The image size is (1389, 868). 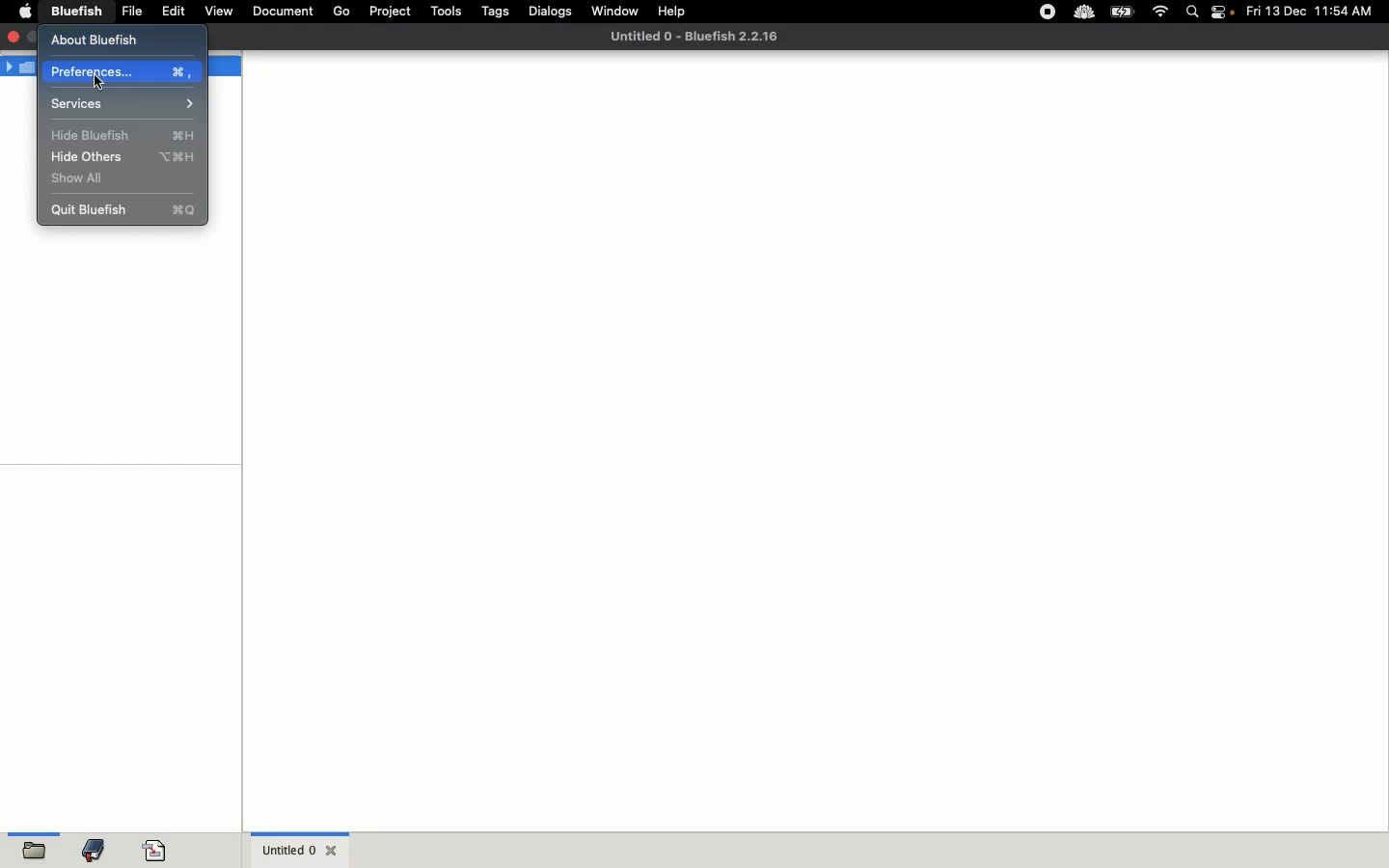 I want to click on Preferences , so click(x=123, y=72).